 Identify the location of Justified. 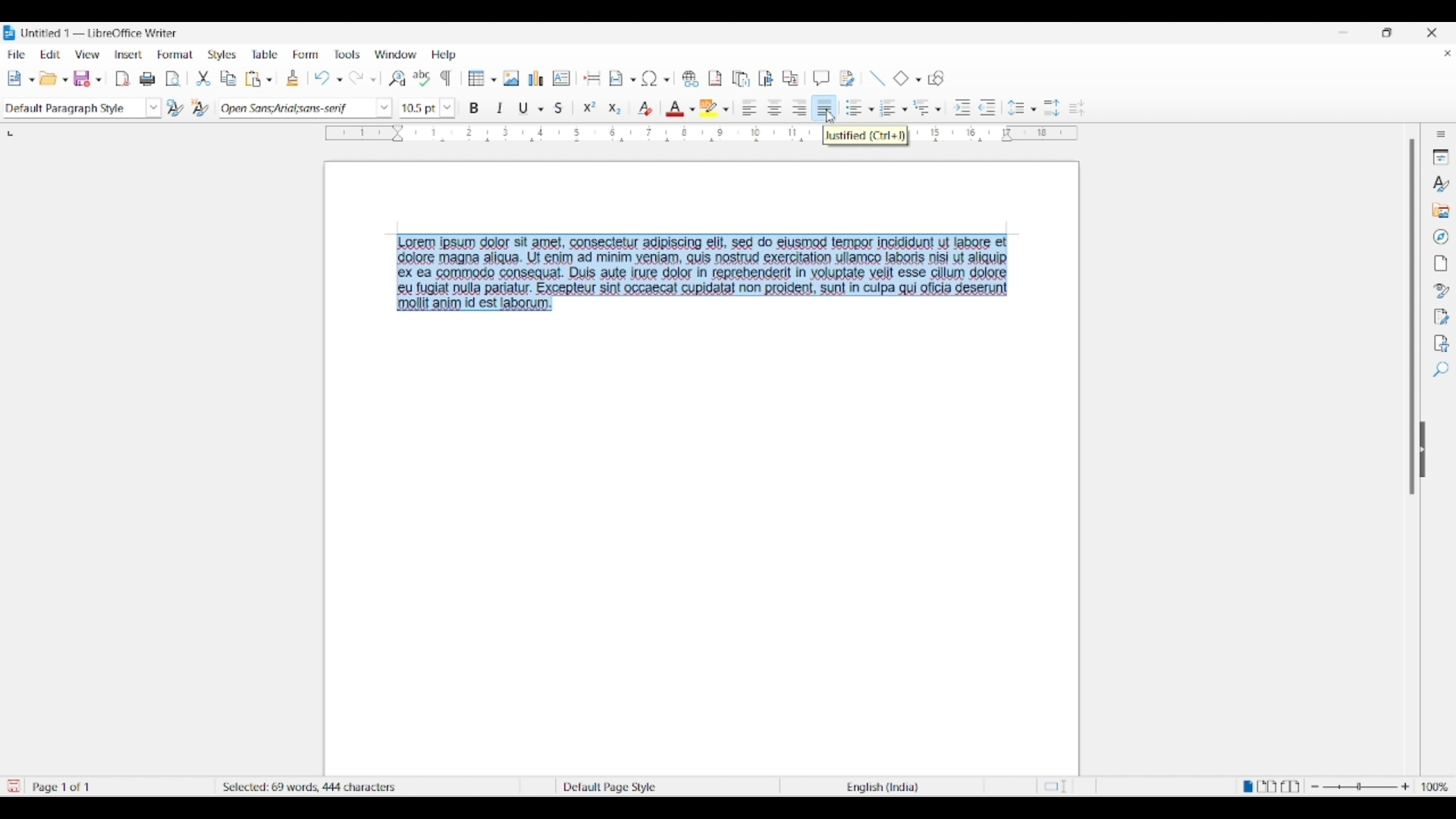
(824, 107).